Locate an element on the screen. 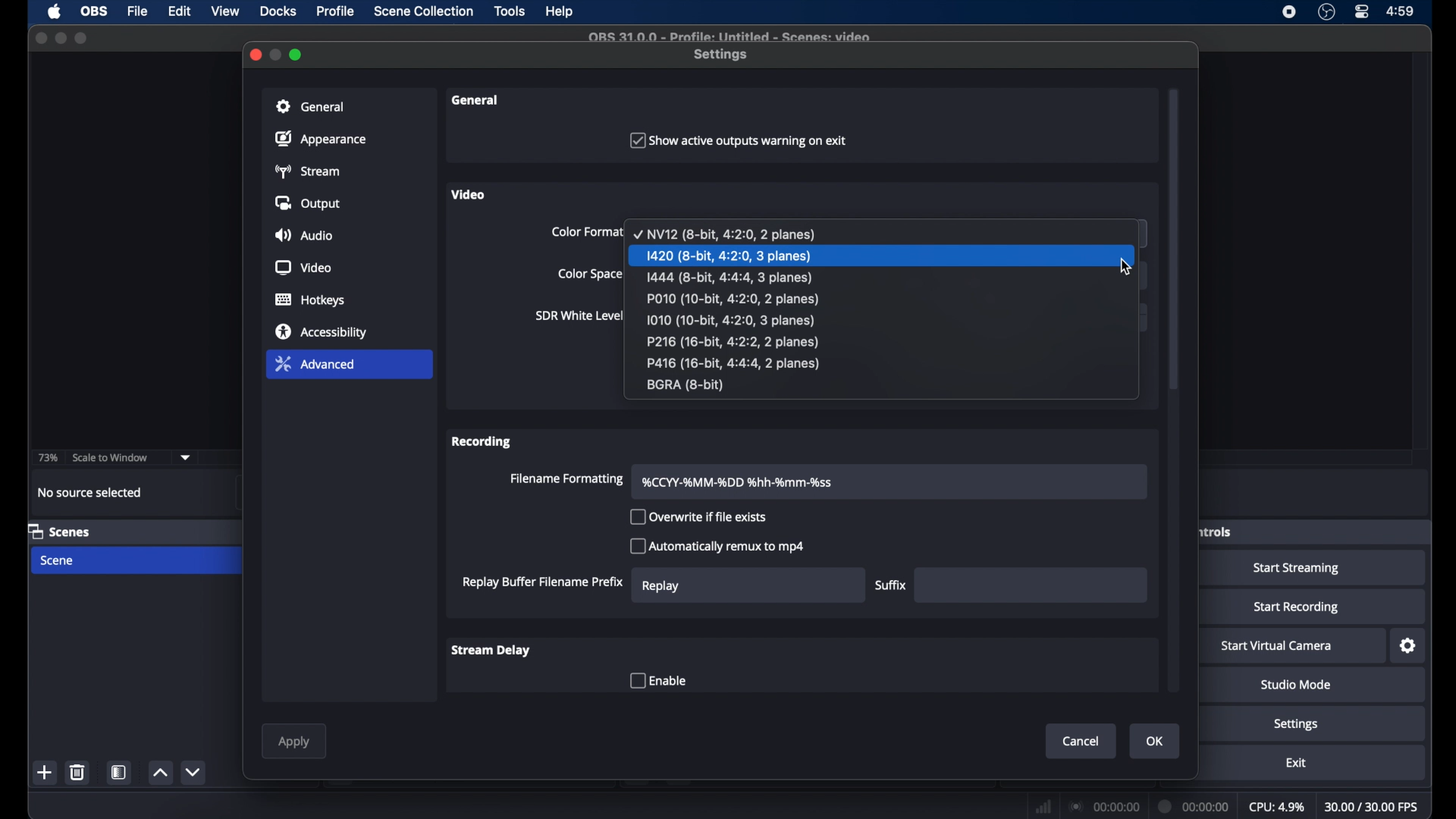  obscure label is located at coordinates (1216, 532).